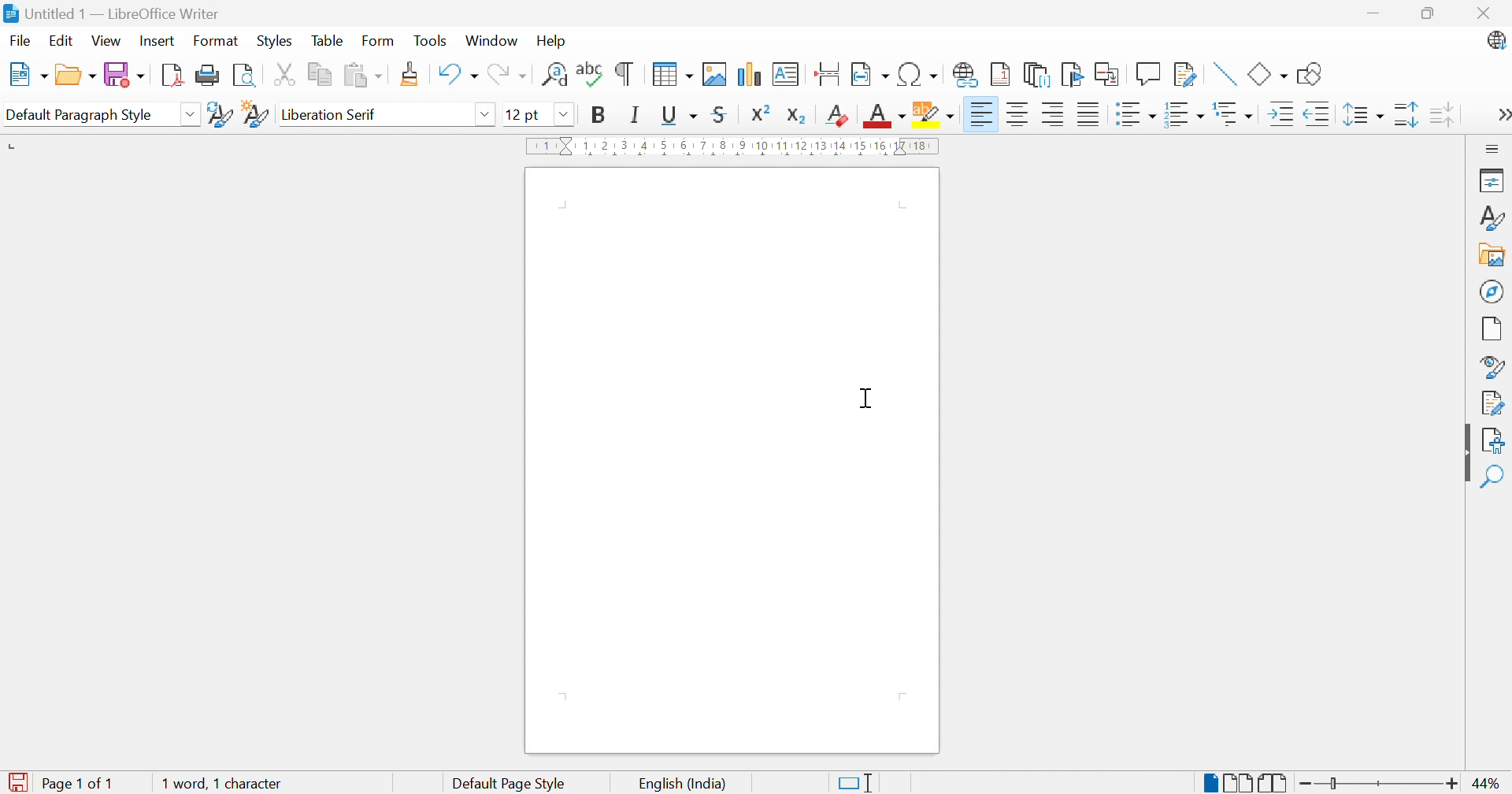 Image resolution: width=1512 pixels, height=794 pixels. I want to click on Insert comment, so click(1148, 73).